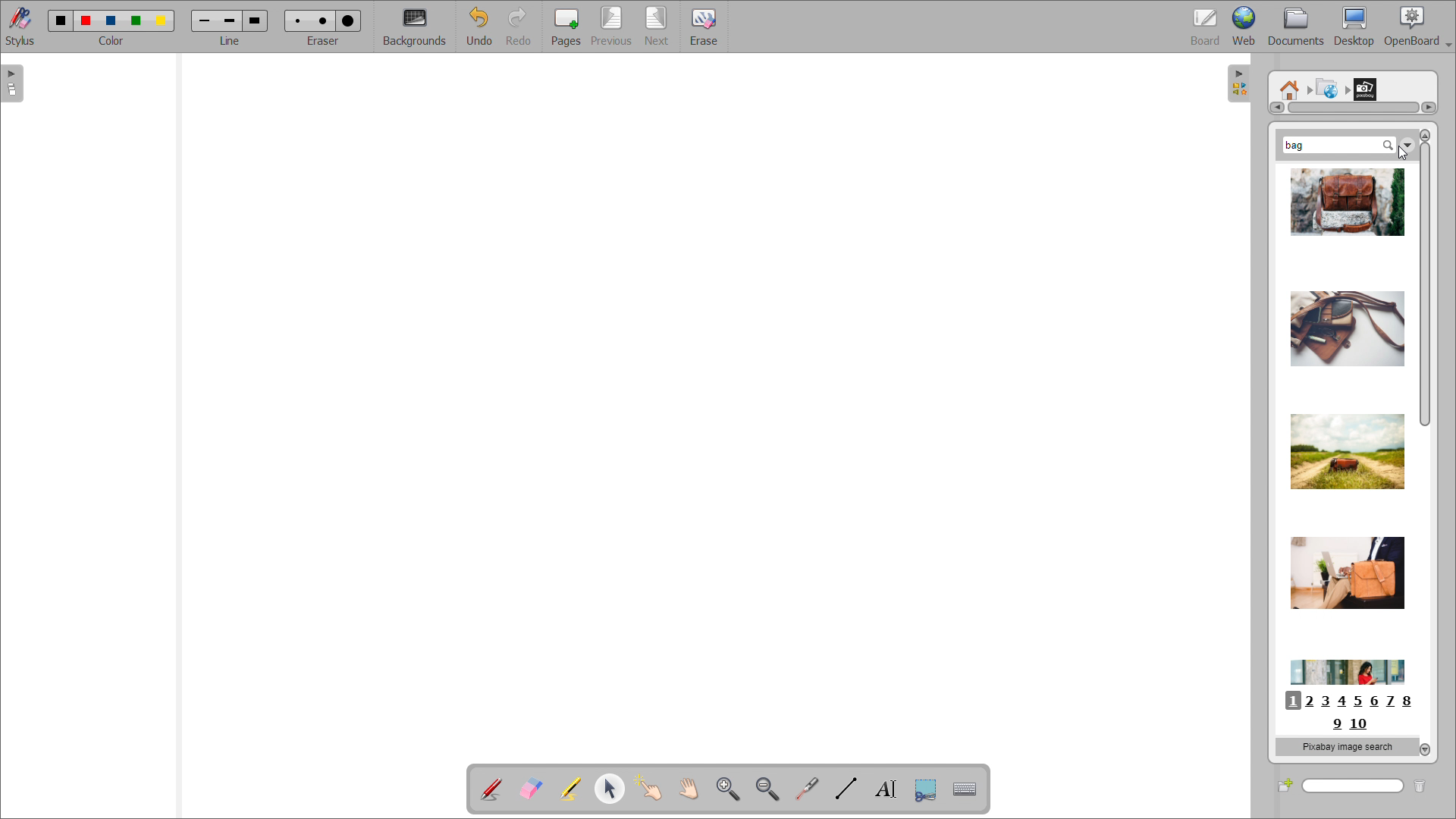  I want to click on erase annotation, so click(532, 788).